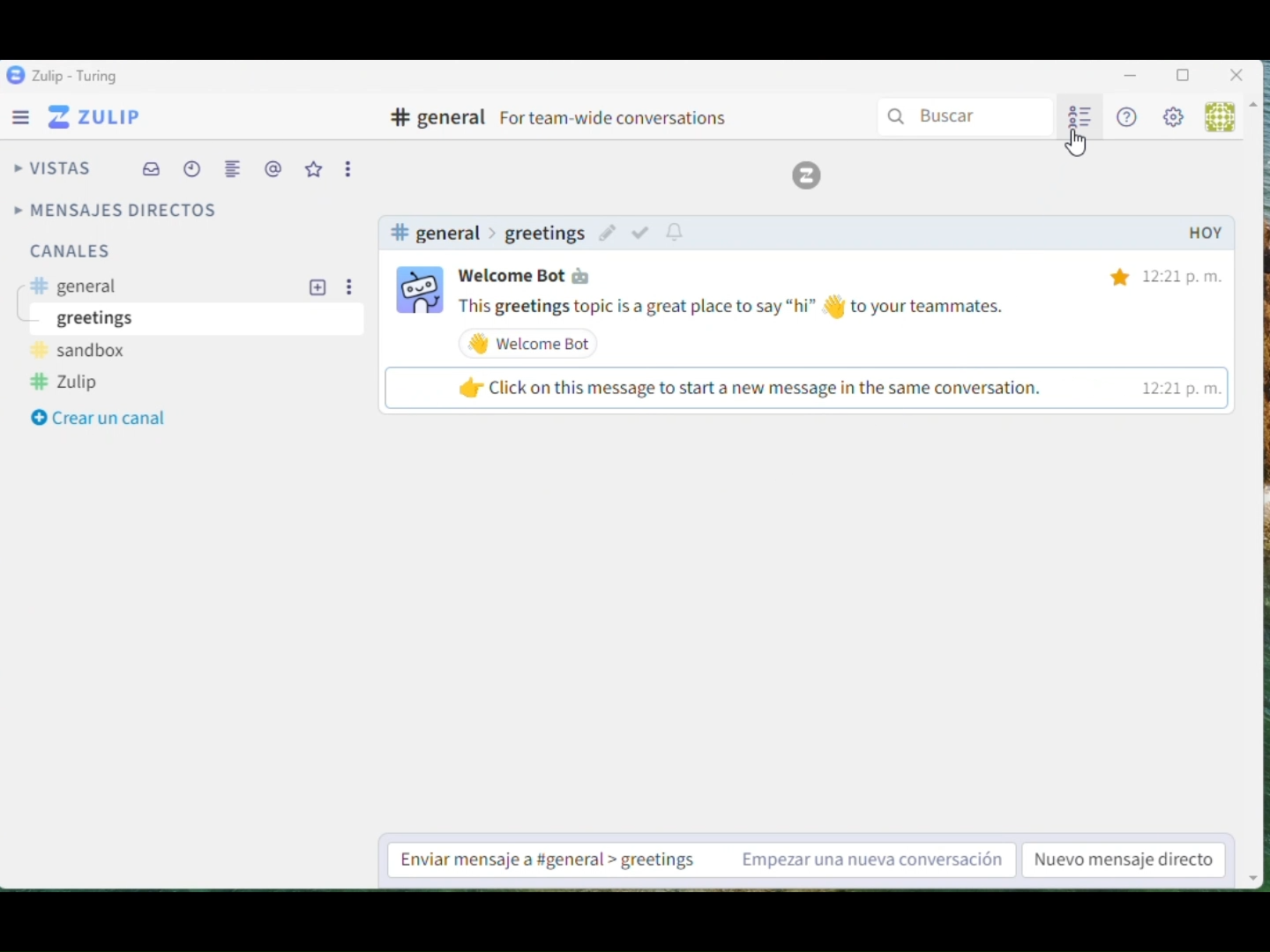 The image size is (1270, 952). What do you see at coordinates (105, 420) in the screenshot?
I see `Create a channel` at bounding box center [105, 420].